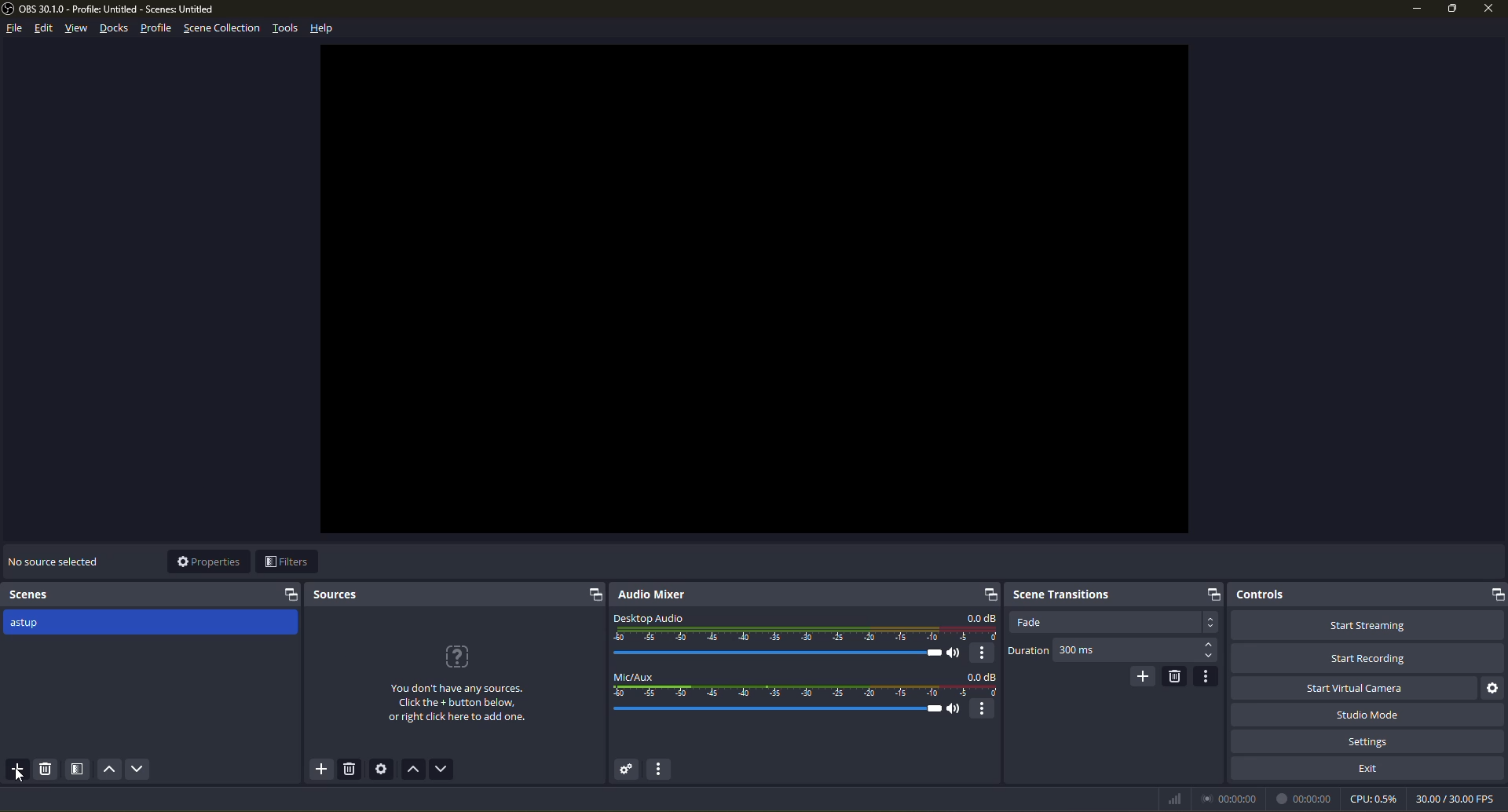 This screenshot has height=812, width=1508. I want to click on delete selected scene, so click(47, 768).